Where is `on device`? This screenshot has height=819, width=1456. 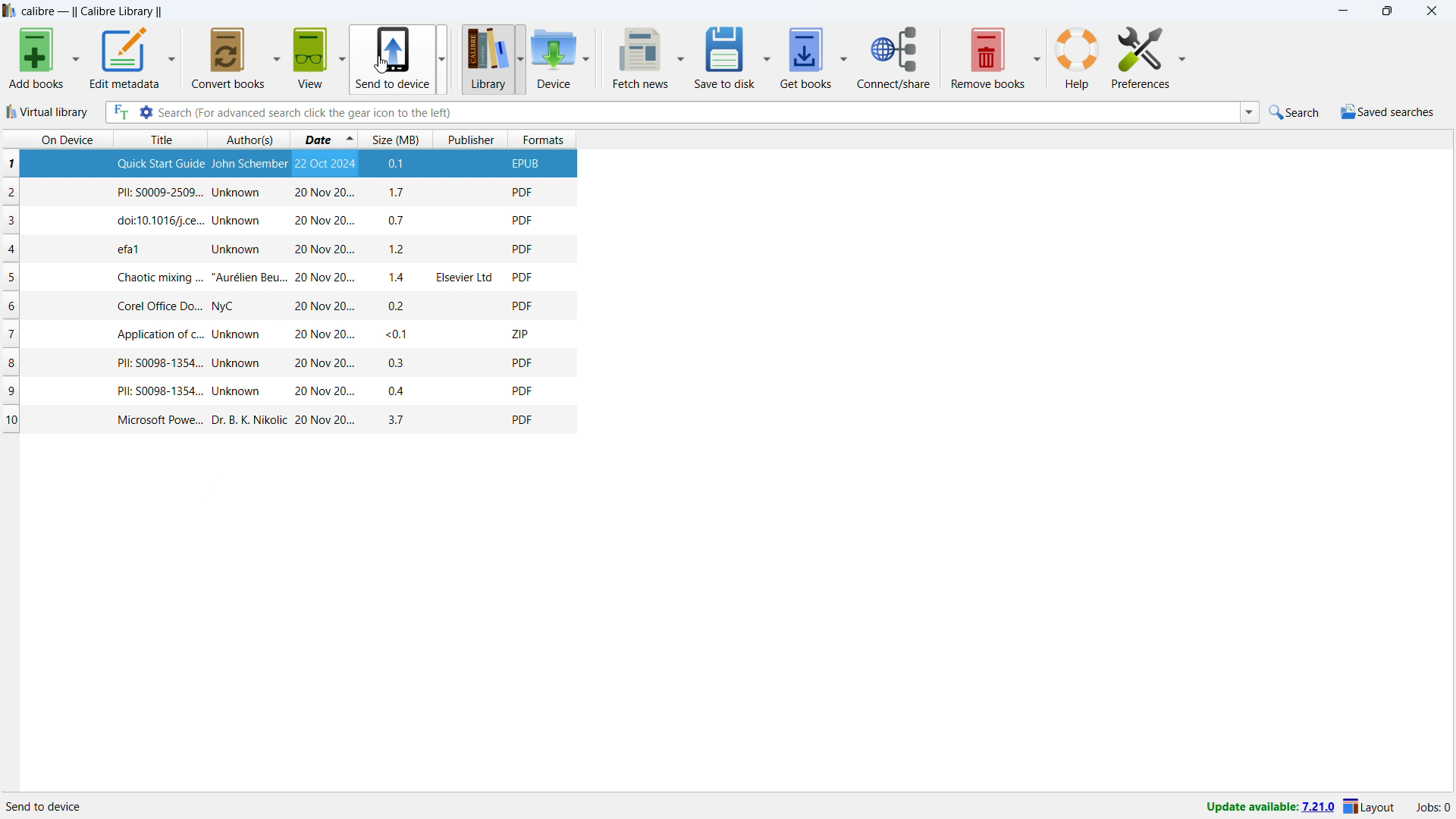
on device is located at coordinates (55, 139).